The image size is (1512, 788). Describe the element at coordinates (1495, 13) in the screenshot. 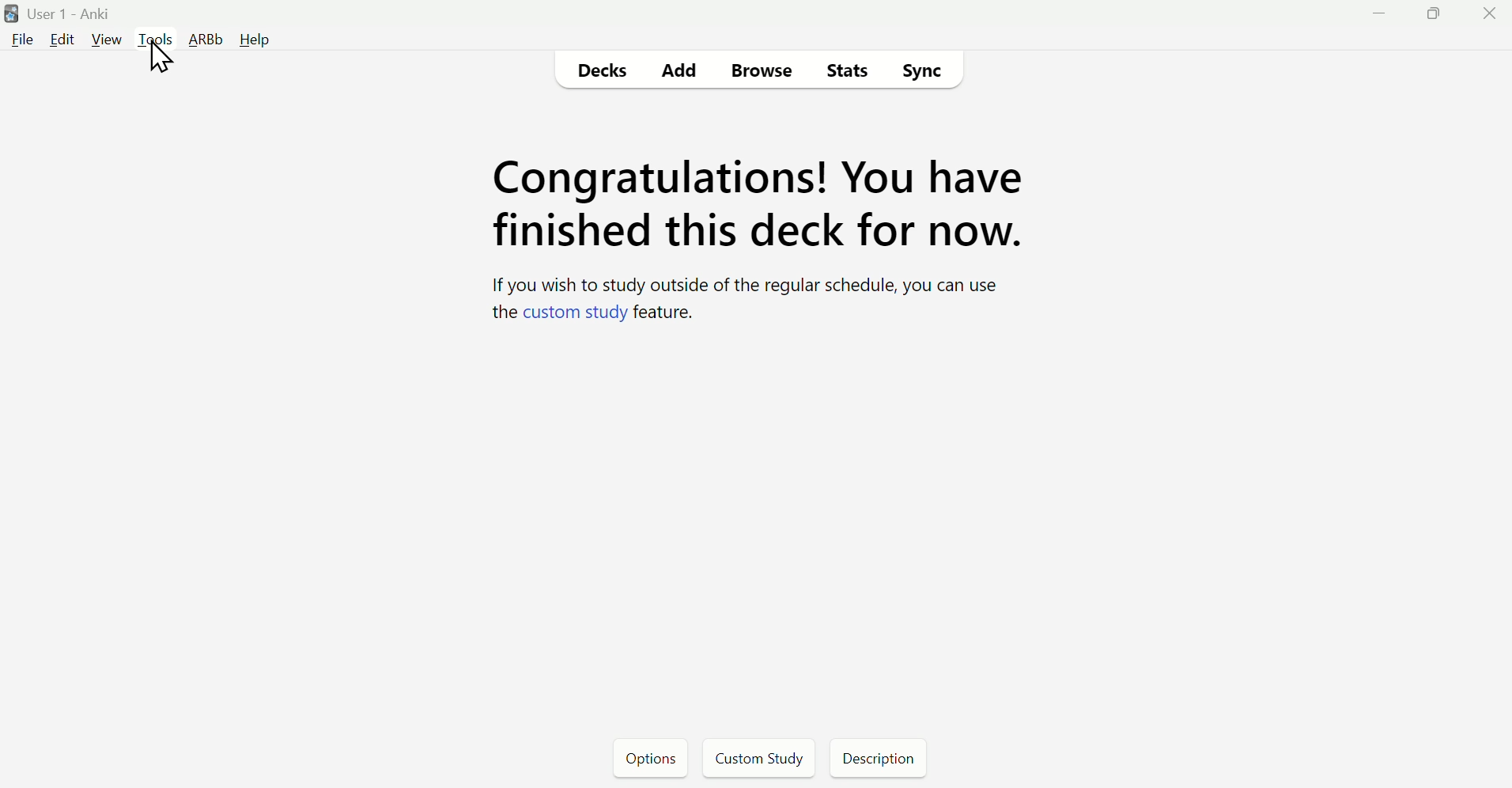

I see `Close` at that location.